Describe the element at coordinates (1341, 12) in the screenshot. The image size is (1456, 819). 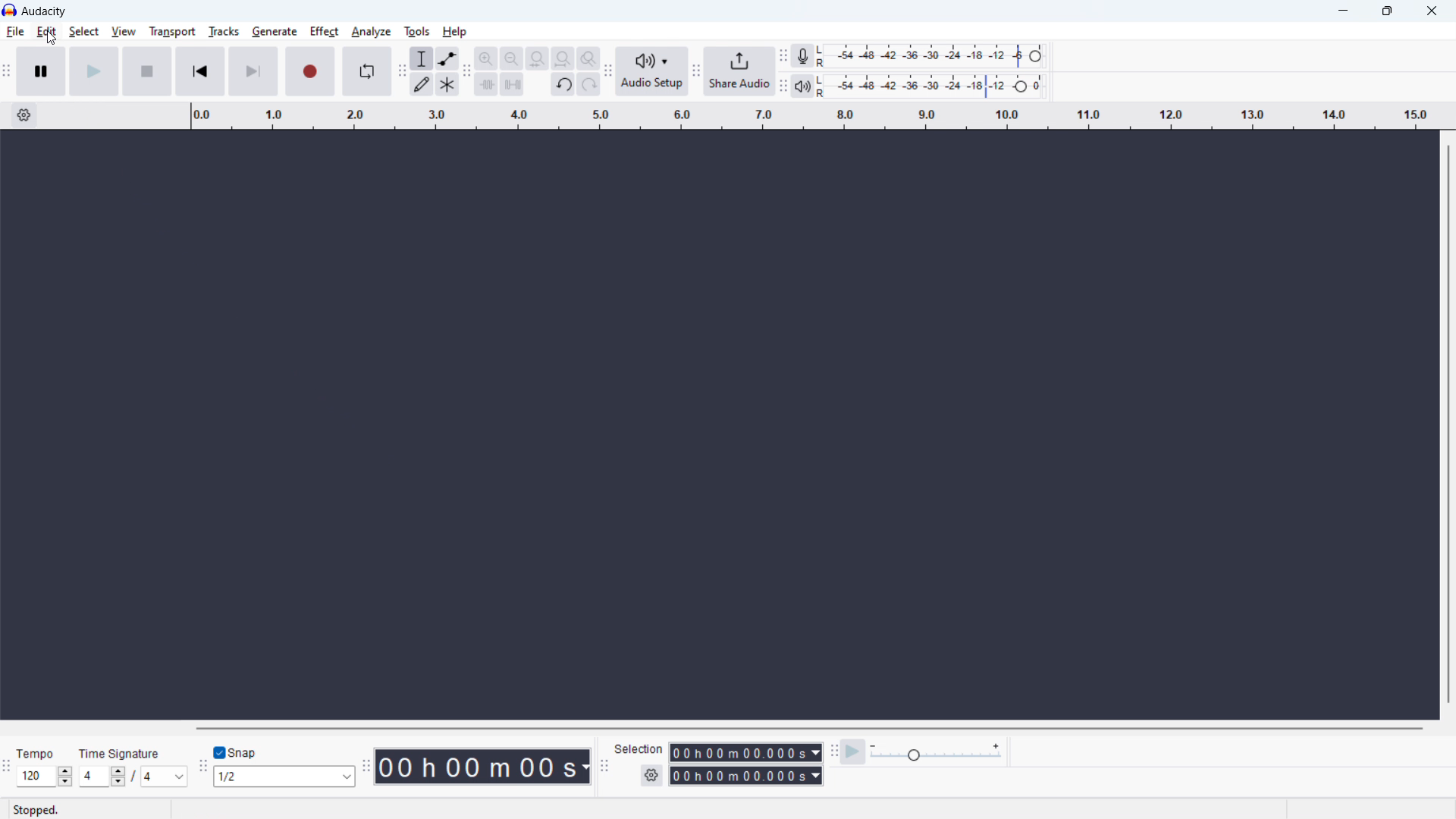
I see `minimize` at that location.